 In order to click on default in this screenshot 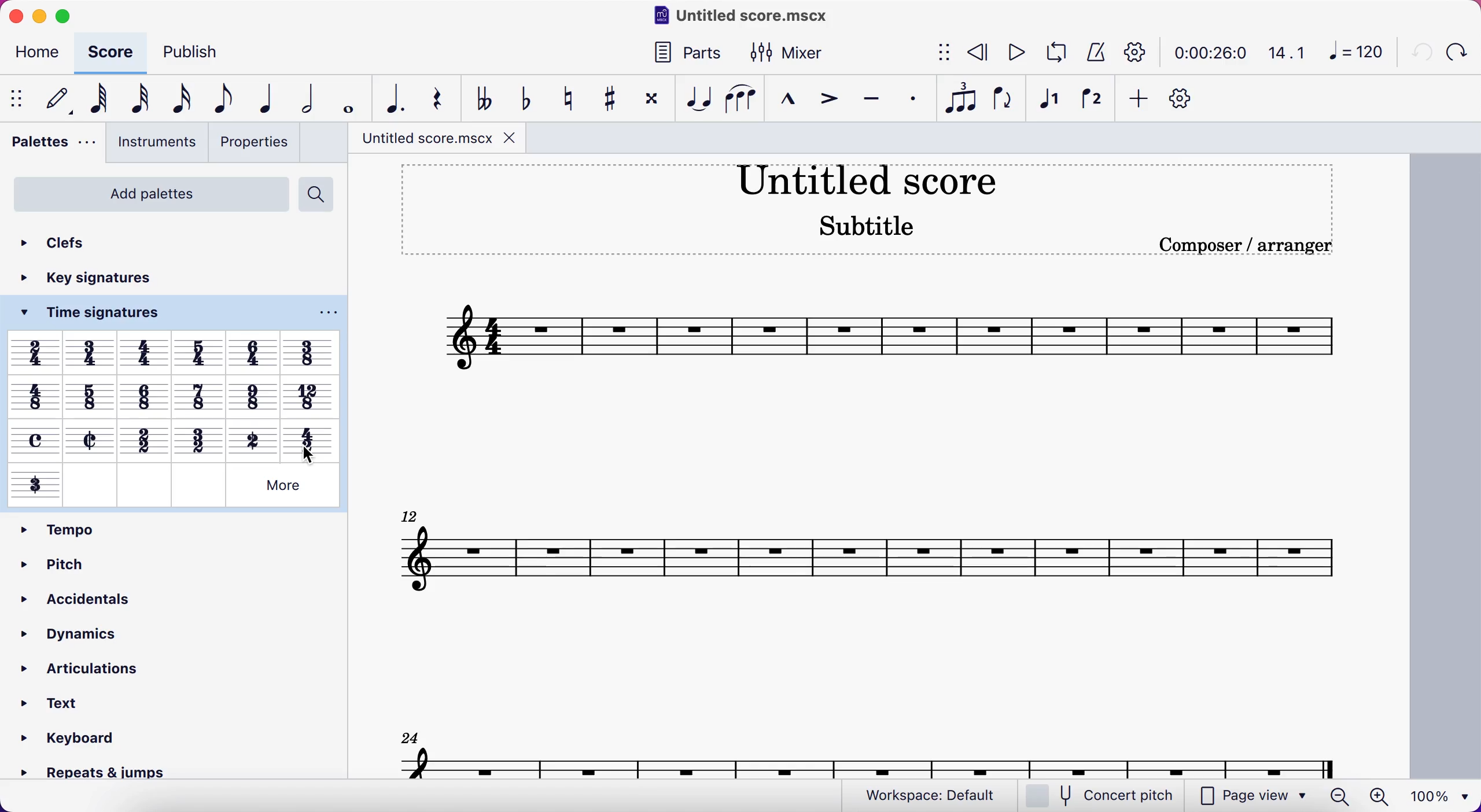, I will do `click(54, 99)`.